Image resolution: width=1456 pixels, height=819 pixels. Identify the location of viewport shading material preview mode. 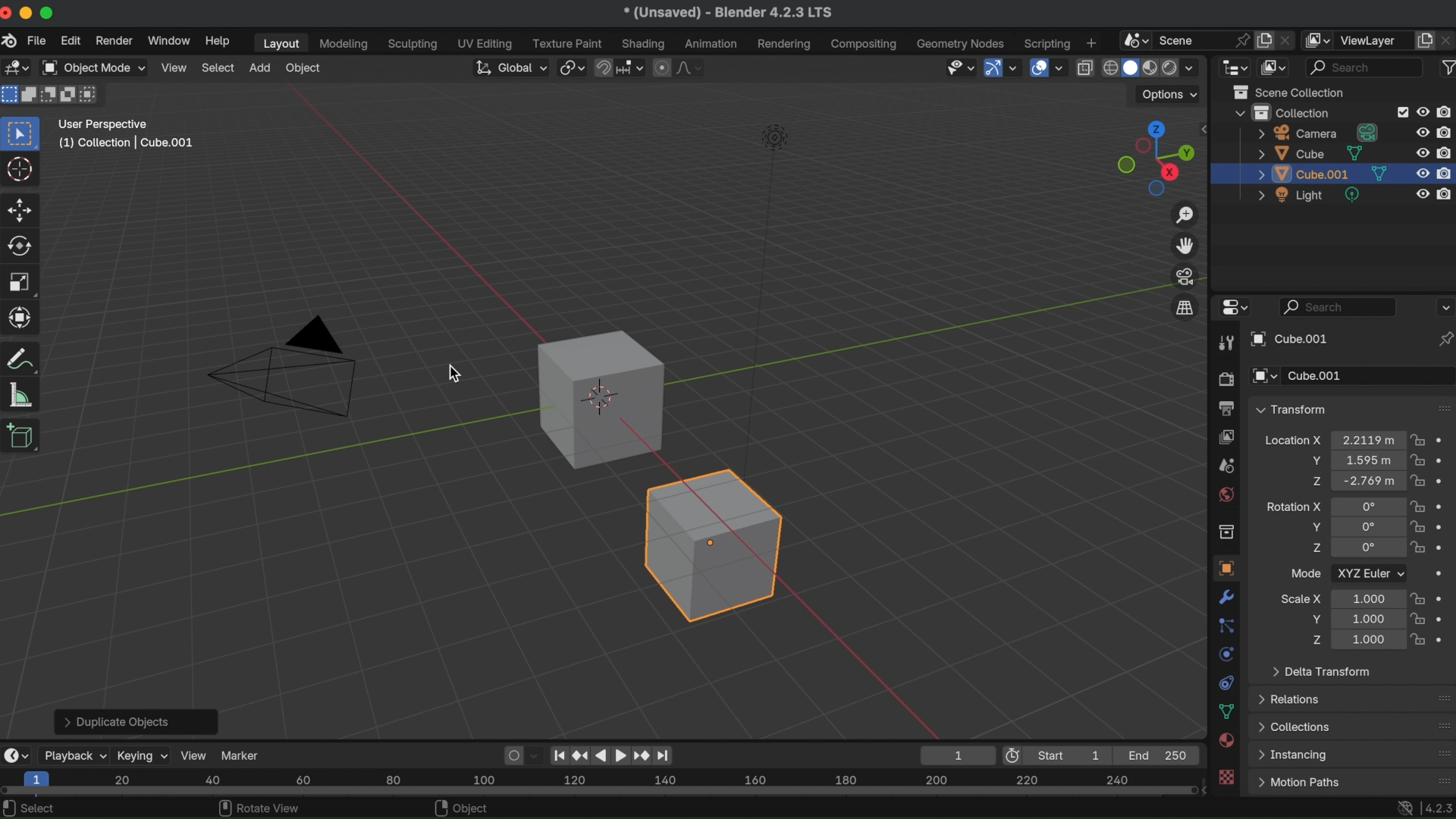
(1148, 69).